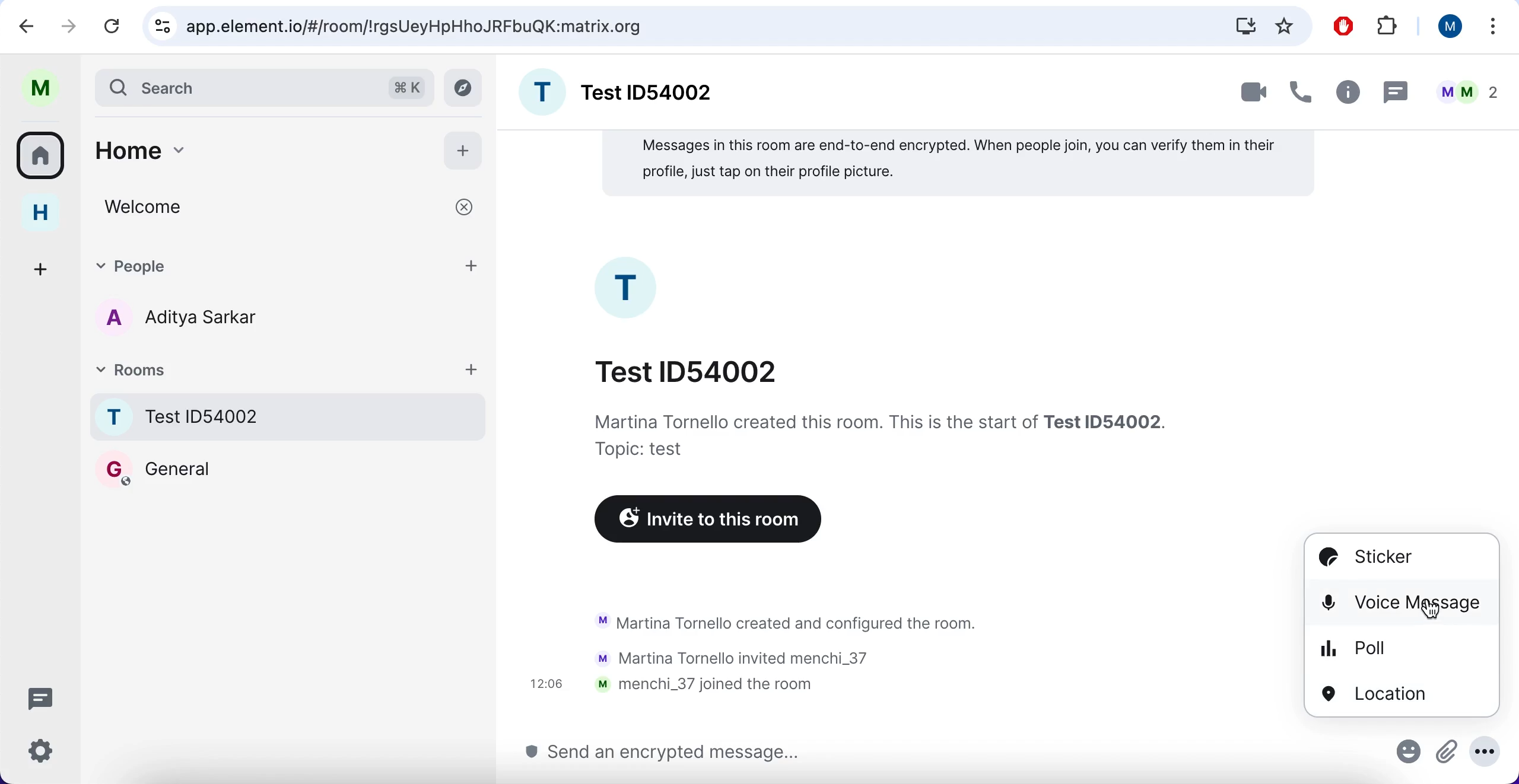 The height and width of the screenshot is (784, 1519). What do you see at coordinates (21, 26) in the screenshot?
I see `backward` at bounding box center [21, 26].